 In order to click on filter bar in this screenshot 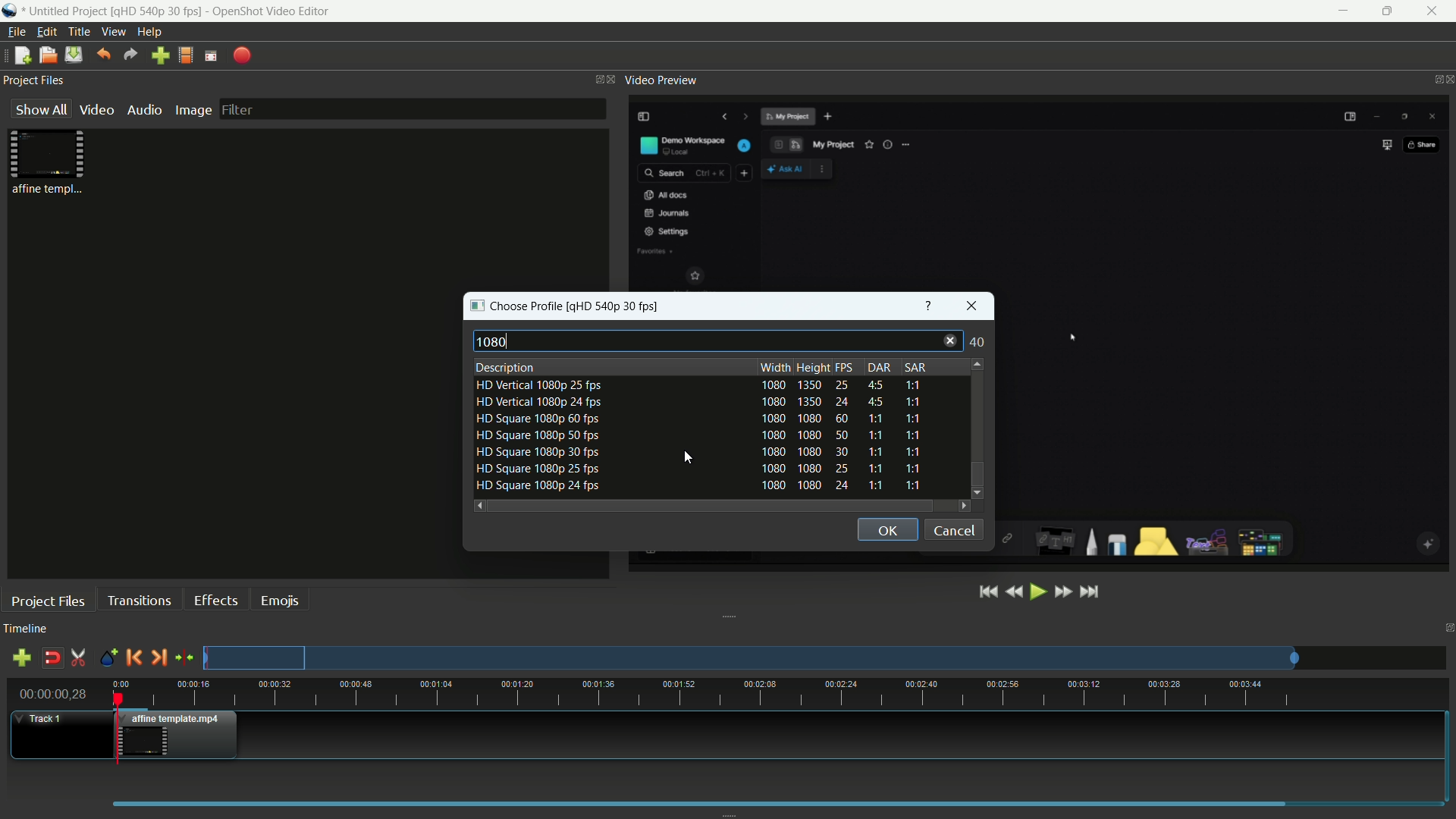, I will do `click(412, 108)`.